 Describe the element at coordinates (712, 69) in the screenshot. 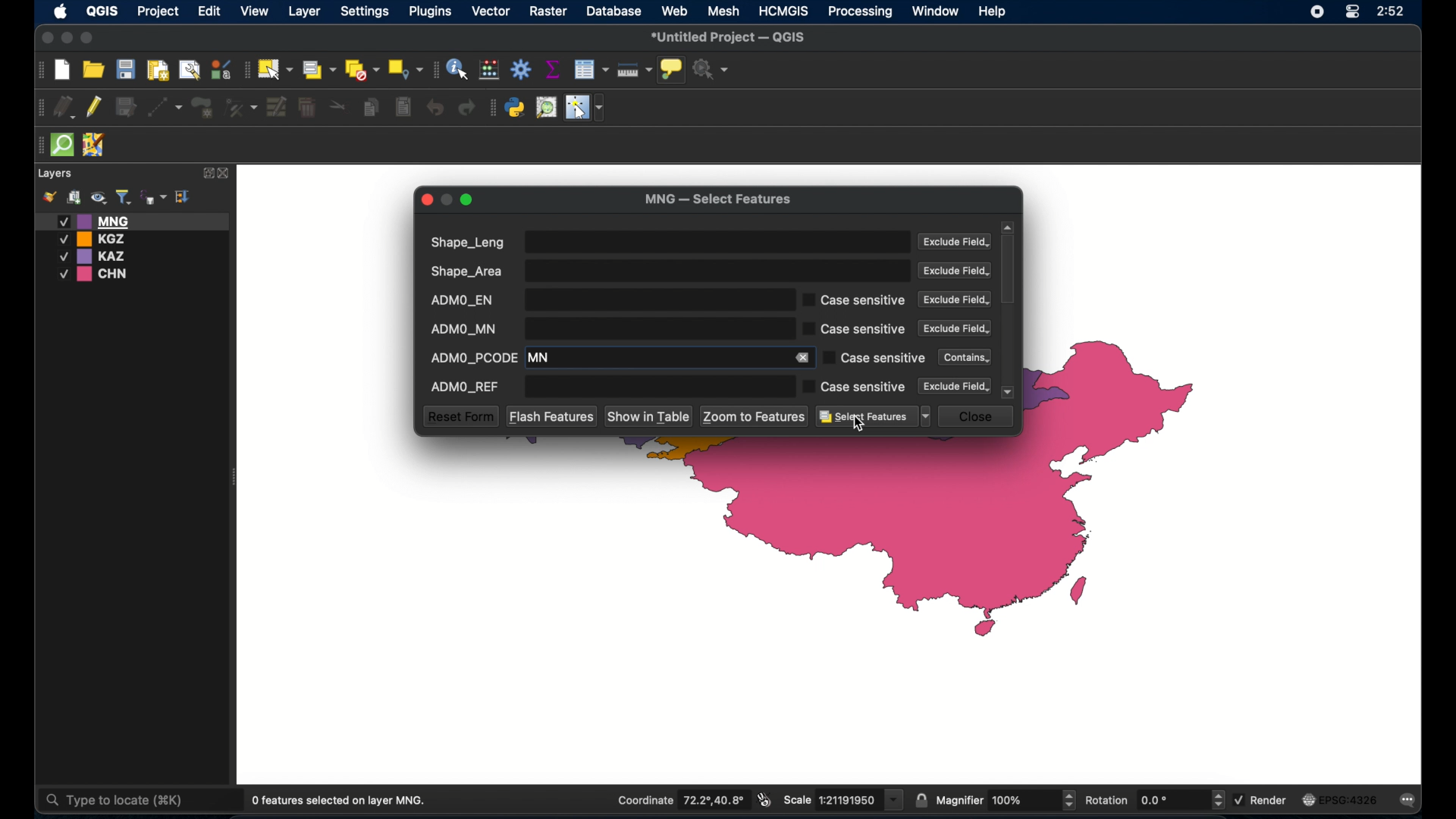

I see `no action selected ` at that location.